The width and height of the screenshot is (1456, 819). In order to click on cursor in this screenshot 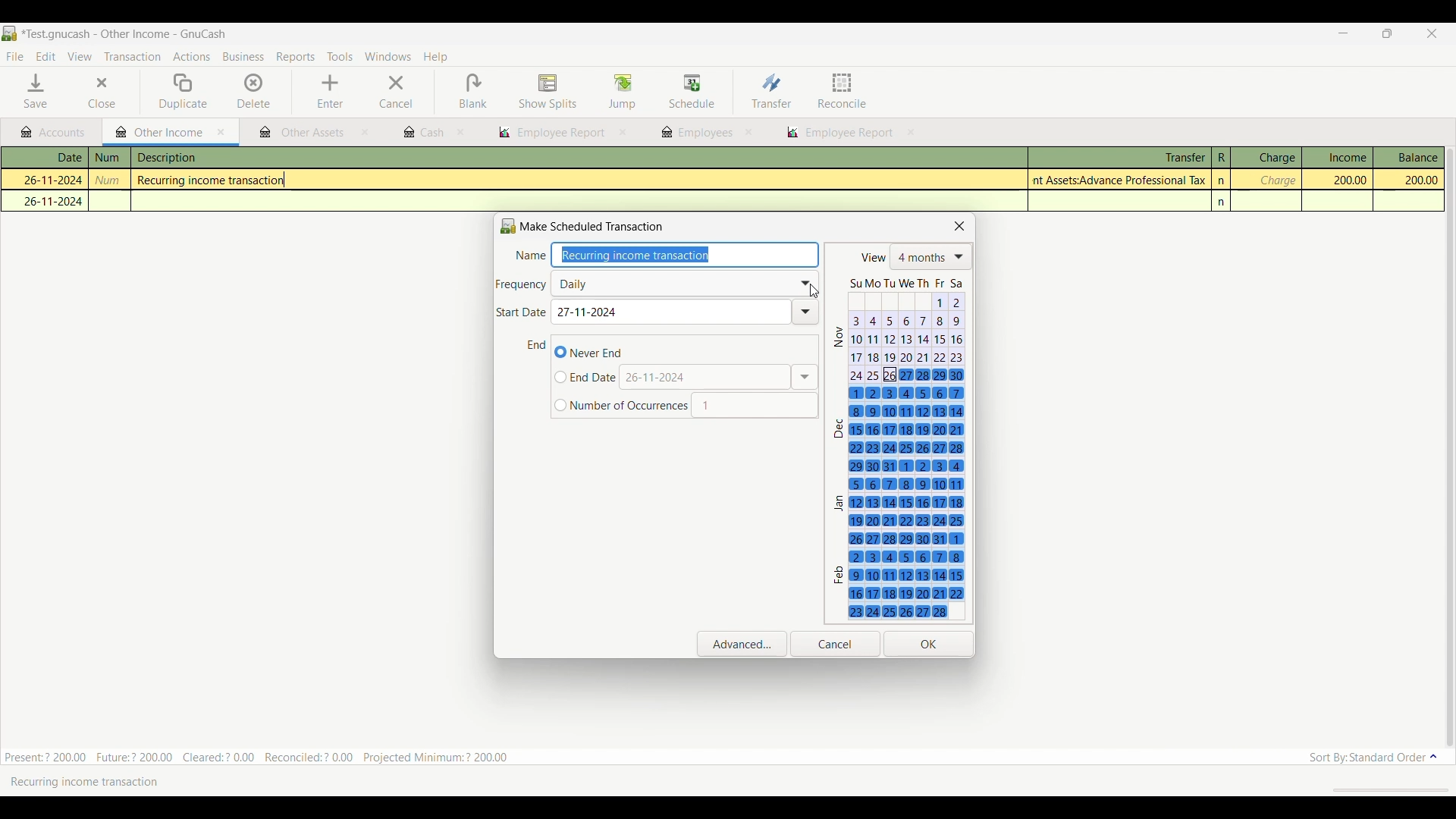, I will do `click(816, 290)`.